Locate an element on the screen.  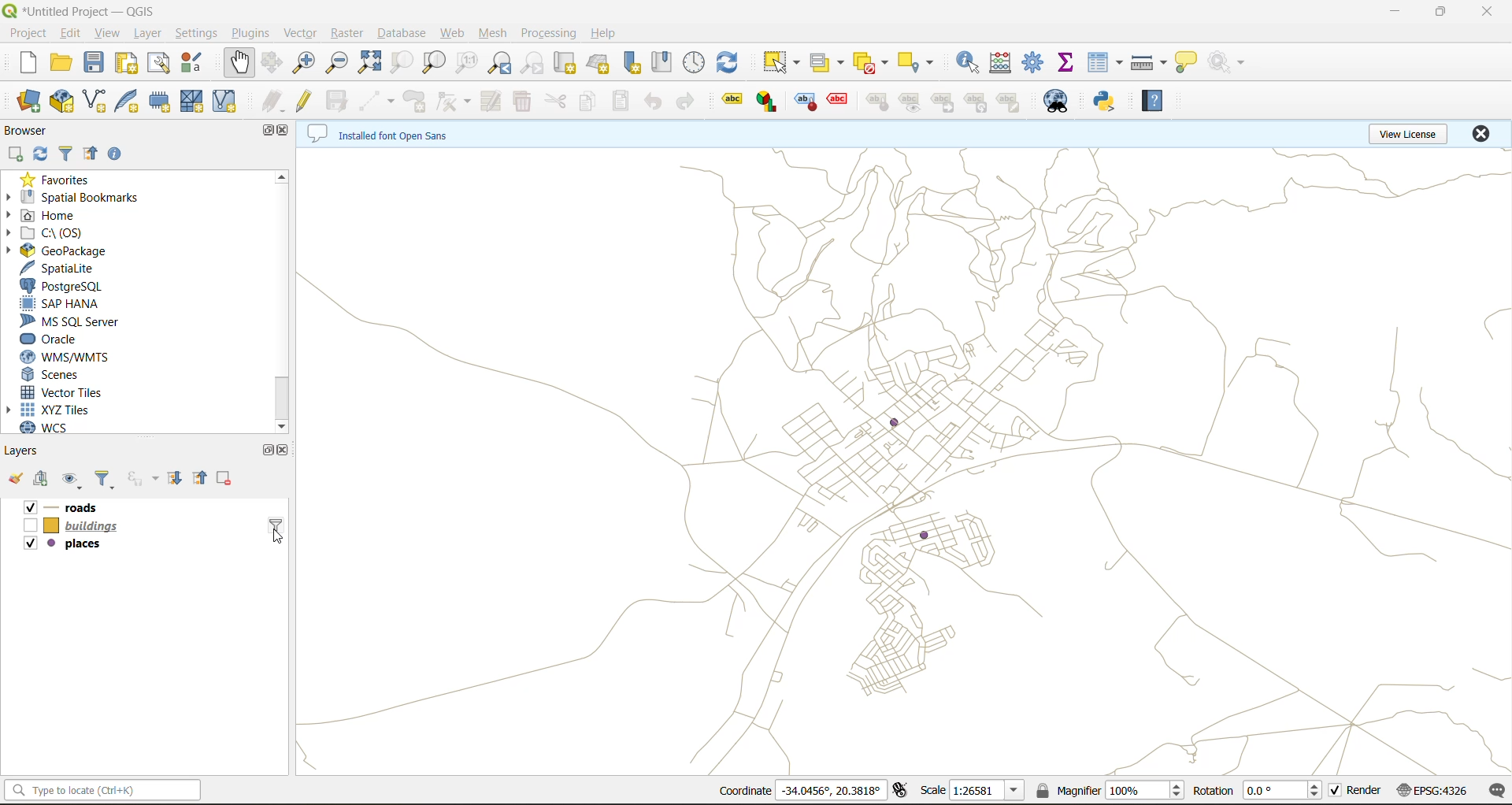
sap hana is located at coordinates (67, 305).